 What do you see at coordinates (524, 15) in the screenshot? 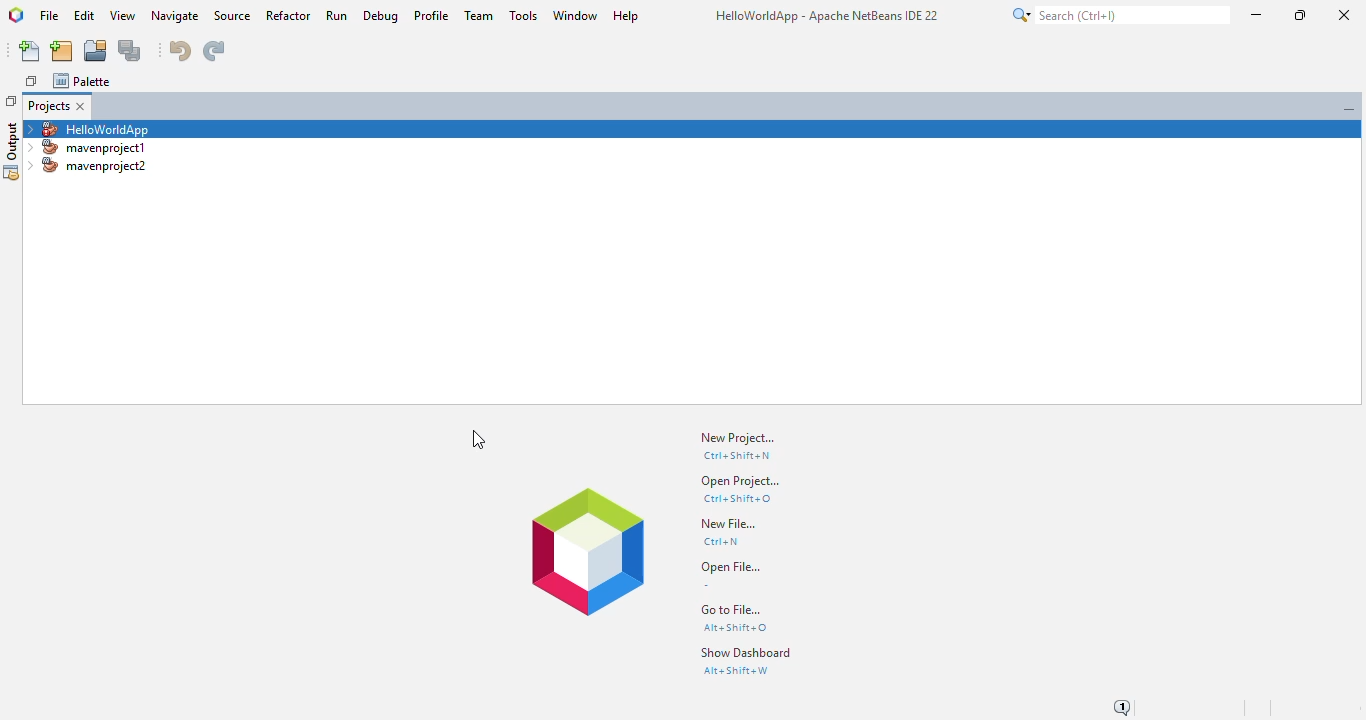
I see `tools` at bounding box center [524, 15].